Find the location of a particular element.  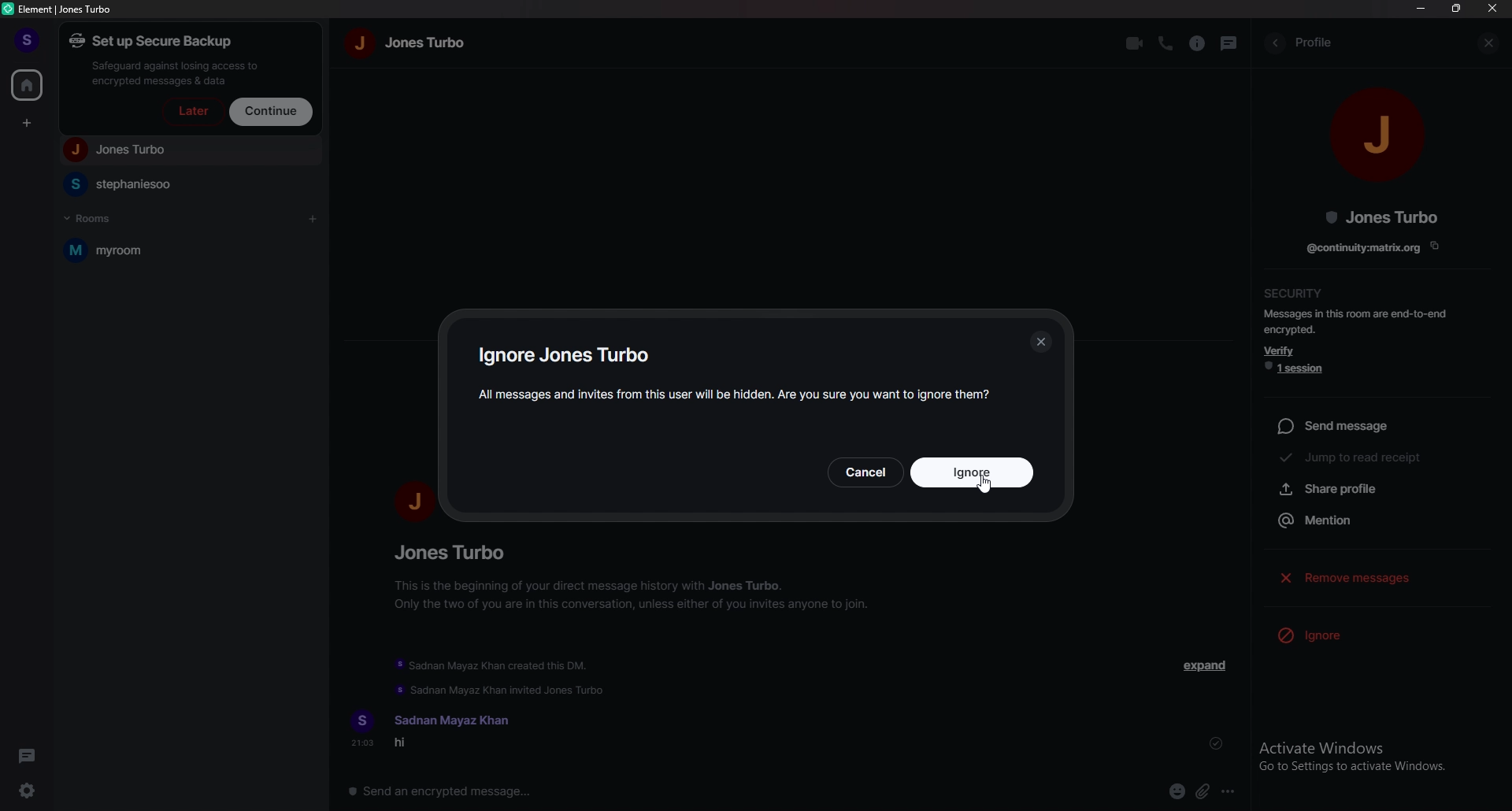

element is located at coordinates (60, 9).